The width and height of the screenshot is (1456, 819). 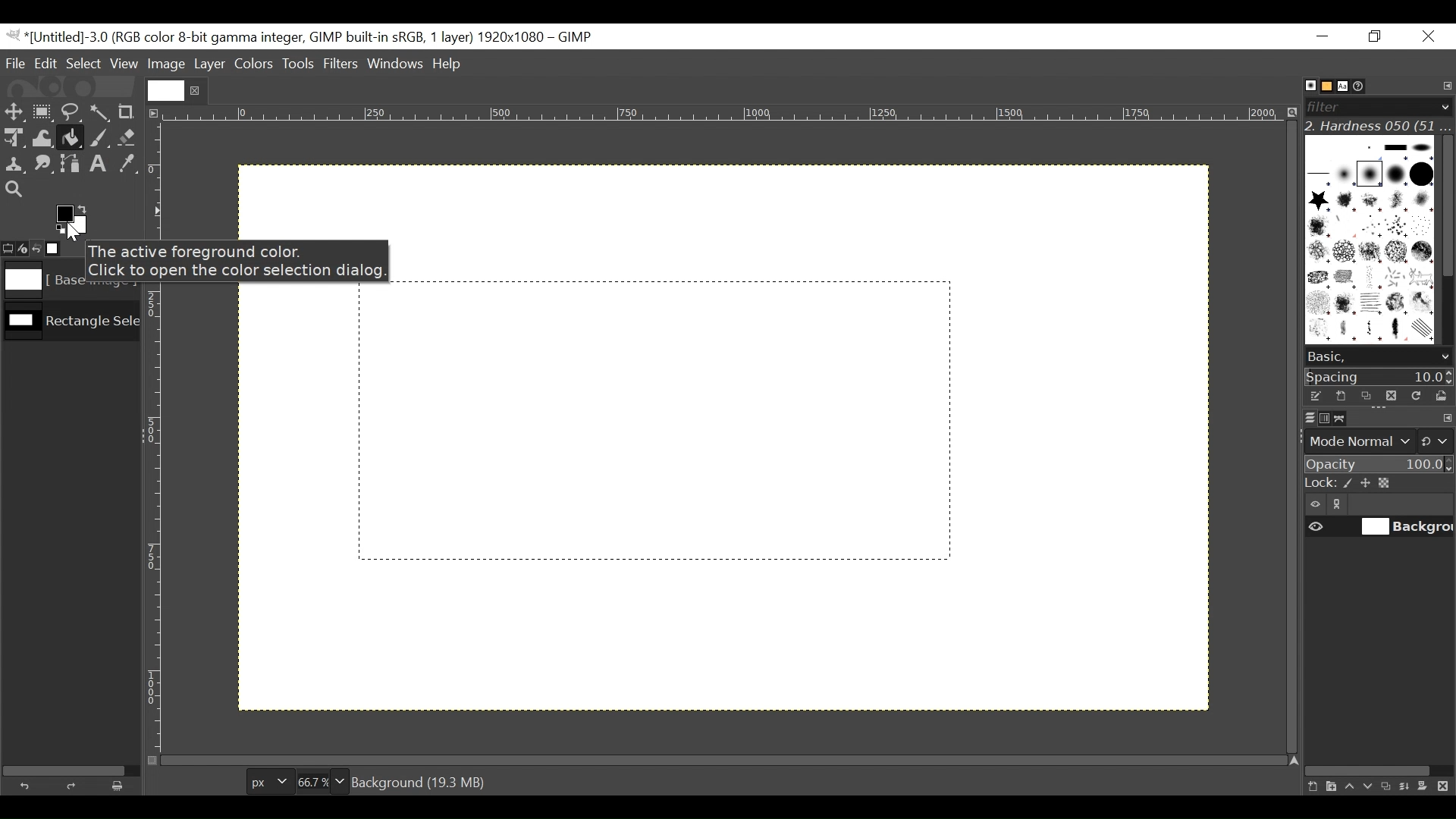 I want to click on Image, so click(x=71, y=325).